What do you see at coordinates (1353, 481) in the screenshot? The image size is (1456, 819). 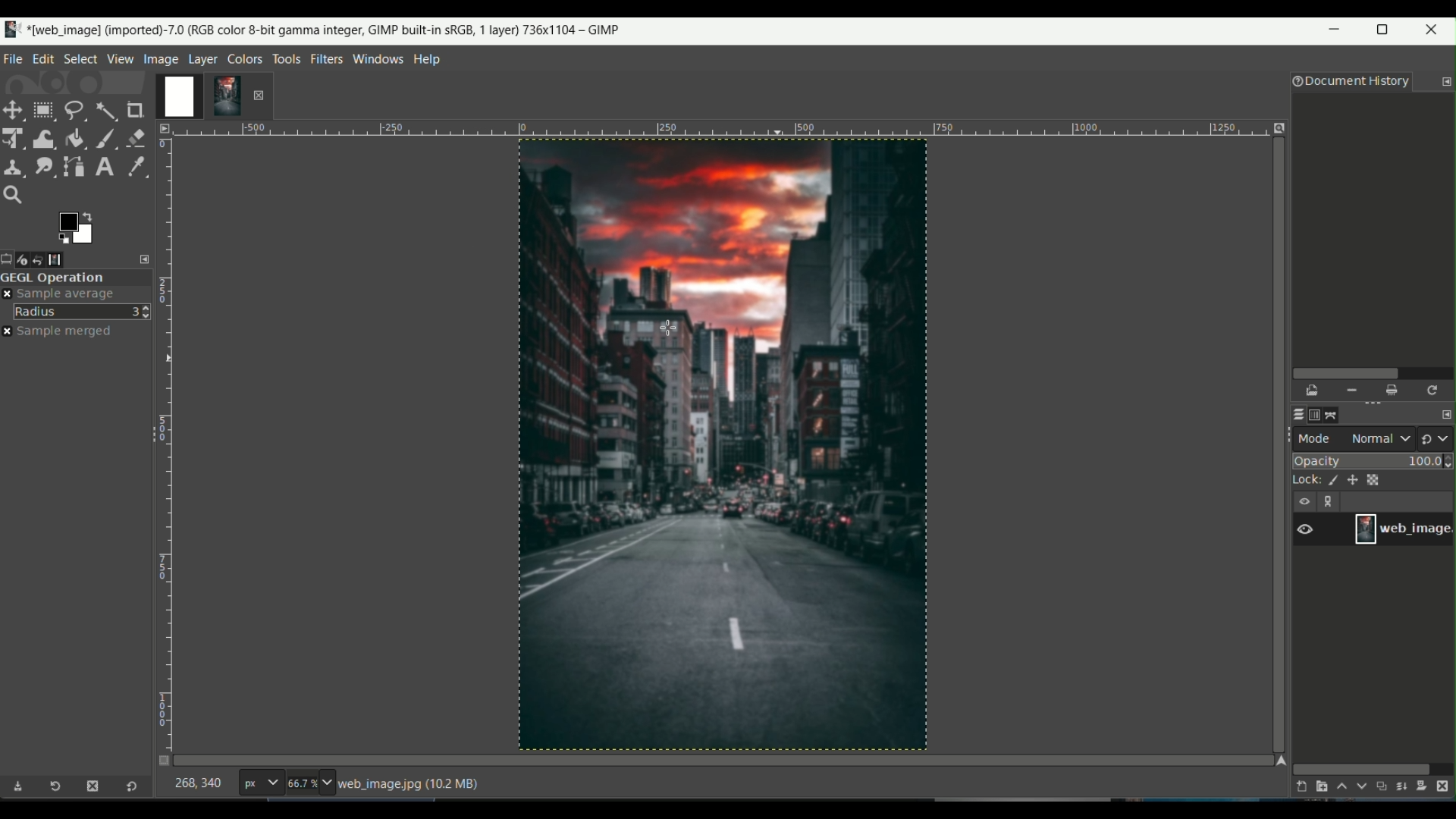 I see `lock size and position` at bounding box center [1353, 481].